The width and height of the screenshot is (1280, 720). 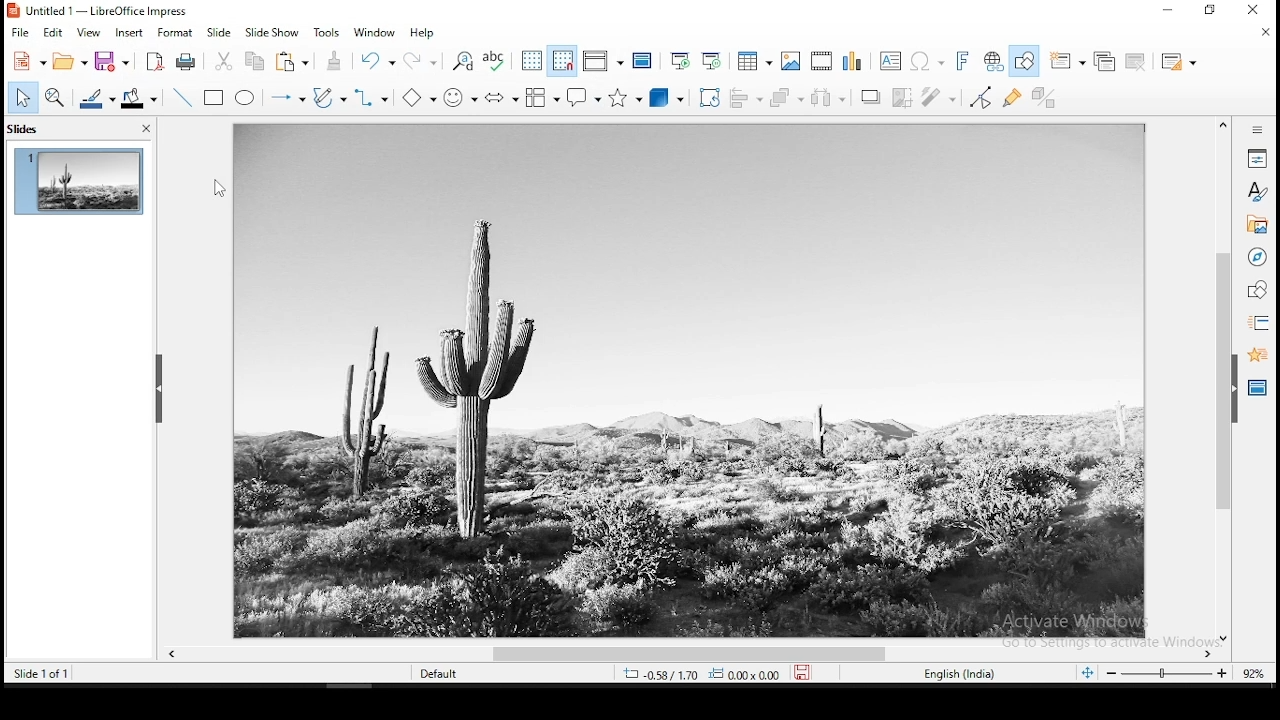 I want to click on crop image, so click(x=902, y=97).